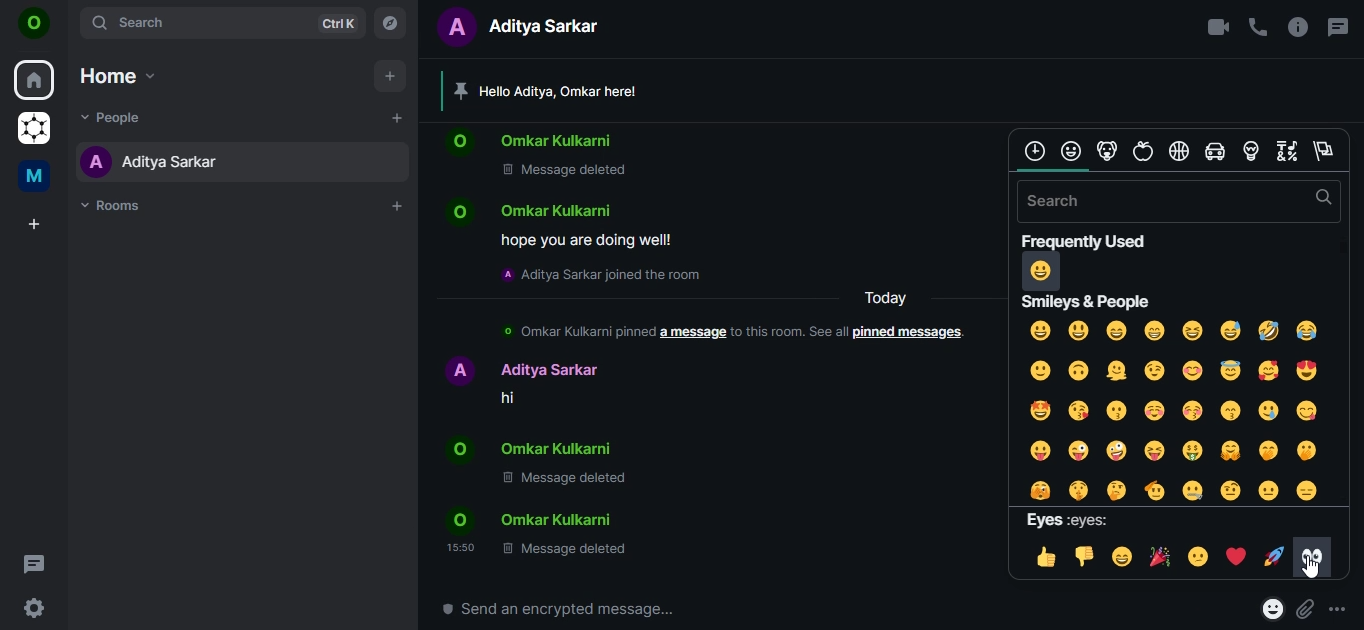 The width and height of the screenshot is (1364, 630). Describe the element at coordinates (1192, 331) in the screenshot. I see `grinning squinting face` at that location.